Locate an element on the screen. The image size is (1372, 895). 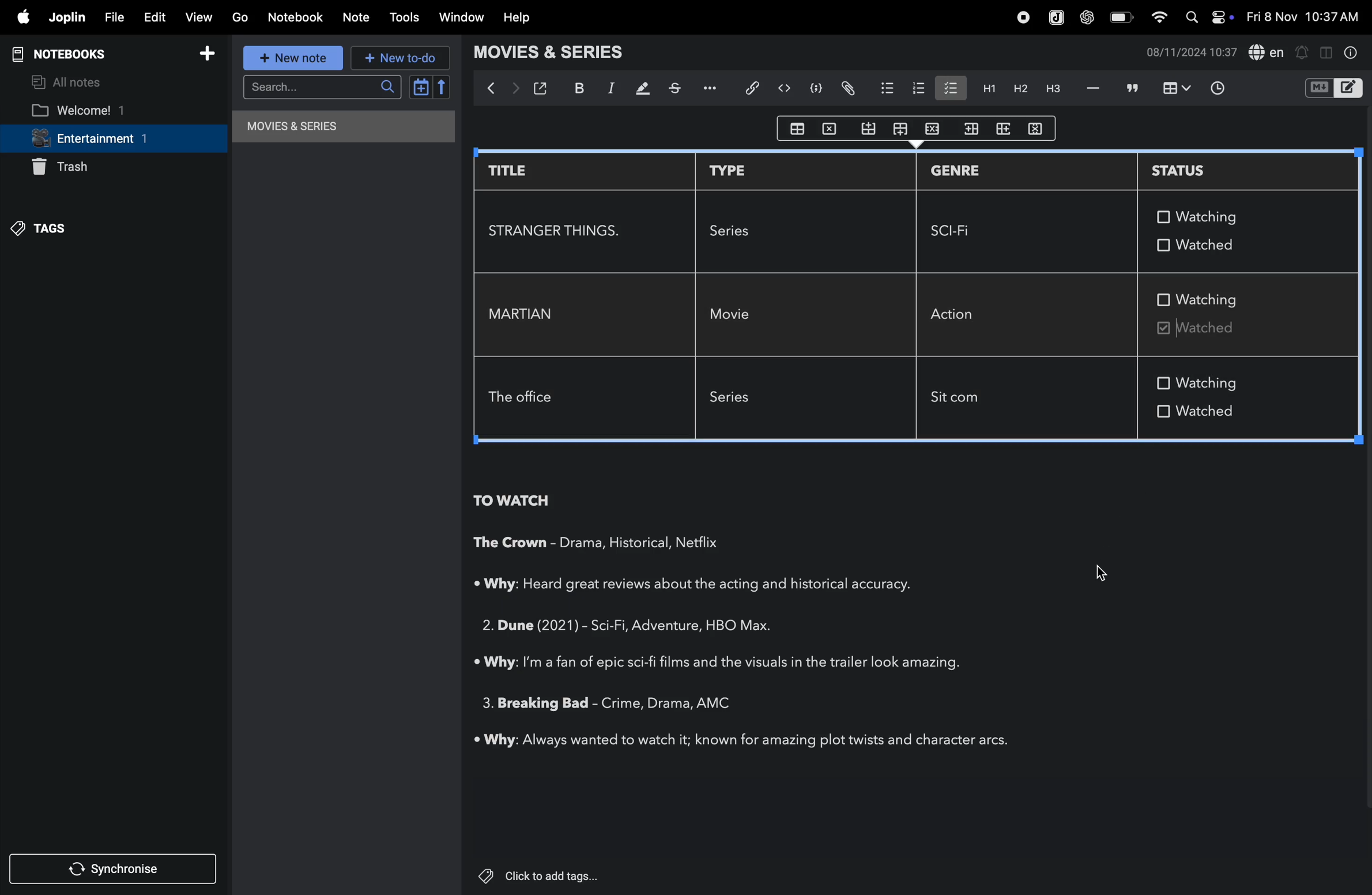
genre is located at coordinates (612, 543).